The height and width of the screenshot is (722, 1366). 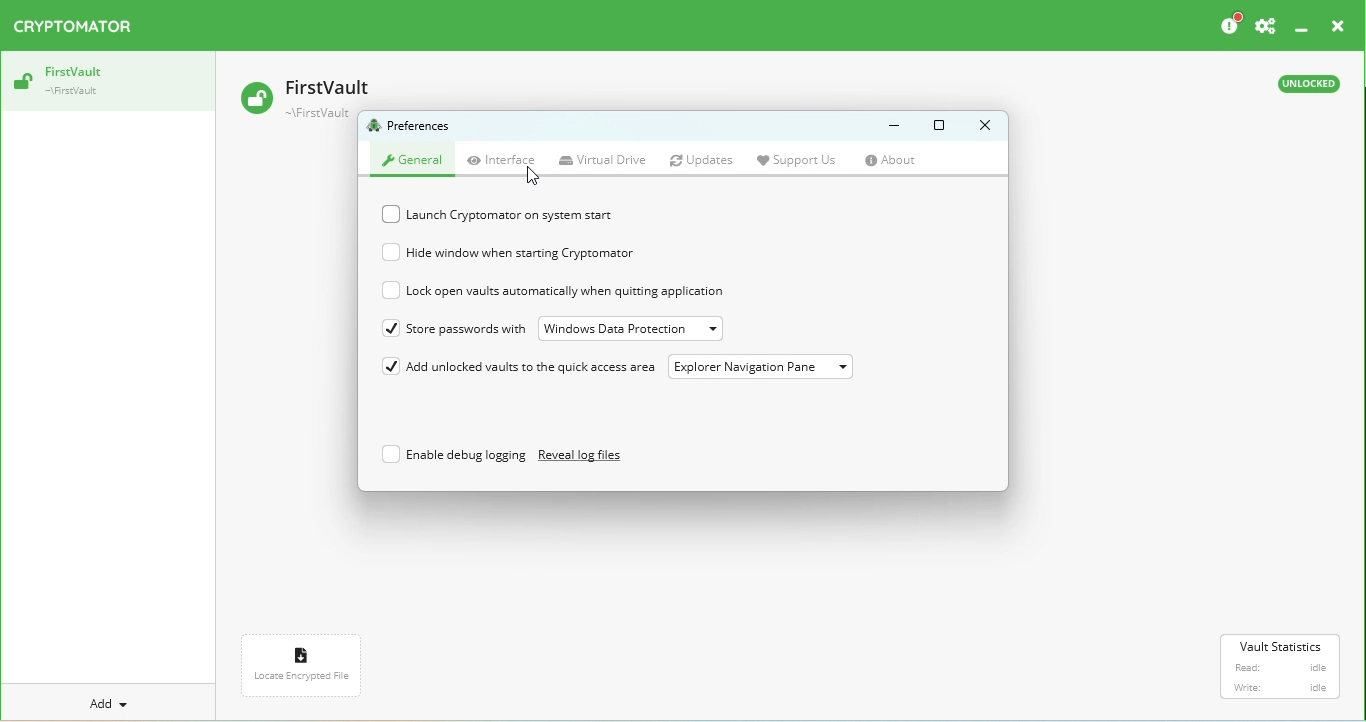 What do you see at coordinates (939, 126) in the screenshot?
I see `Maximize` at bounding box center [939, 126].